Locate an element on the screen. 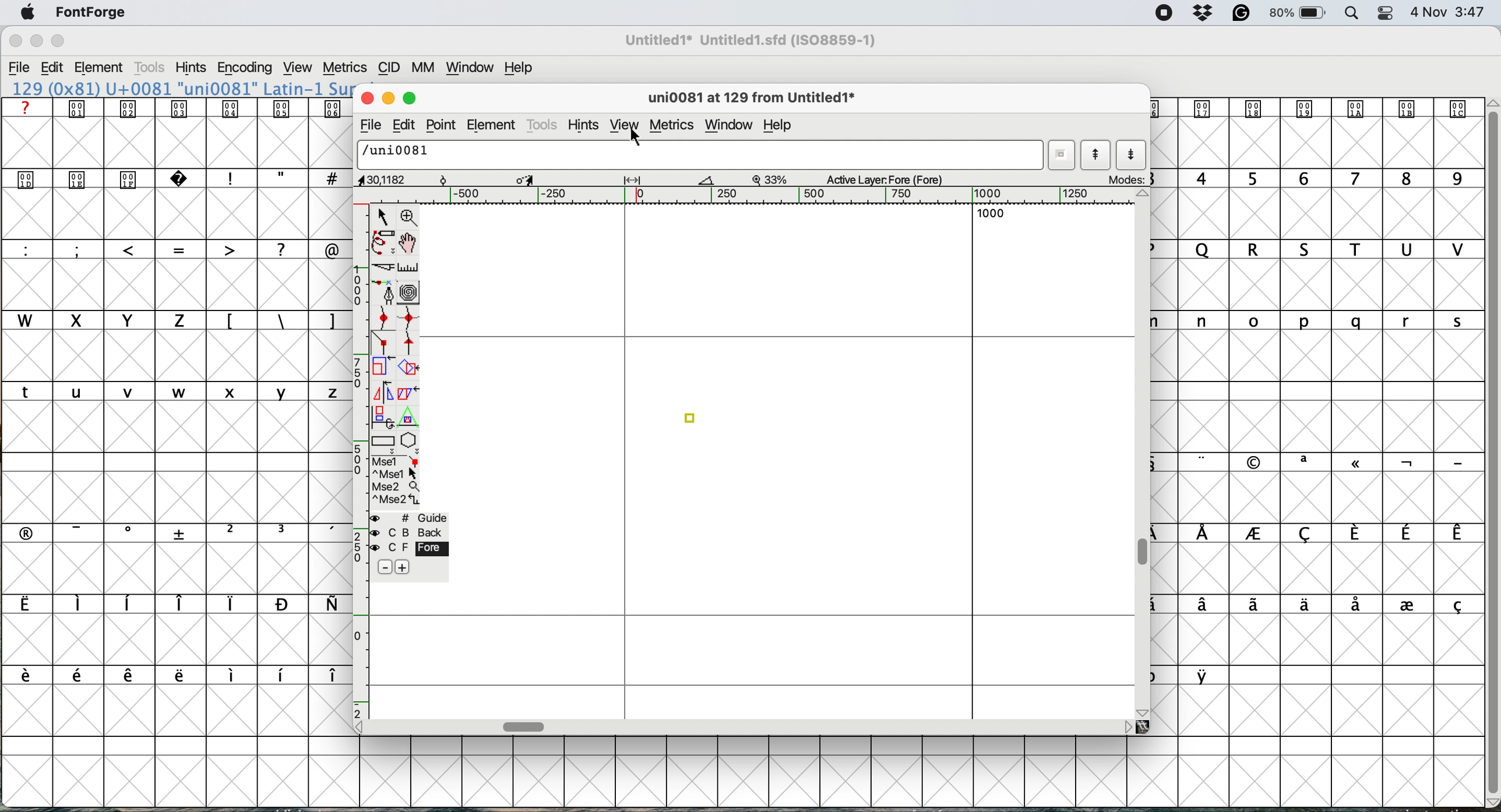  Dropbox Status Icon is located at coordinates (1204, 13).